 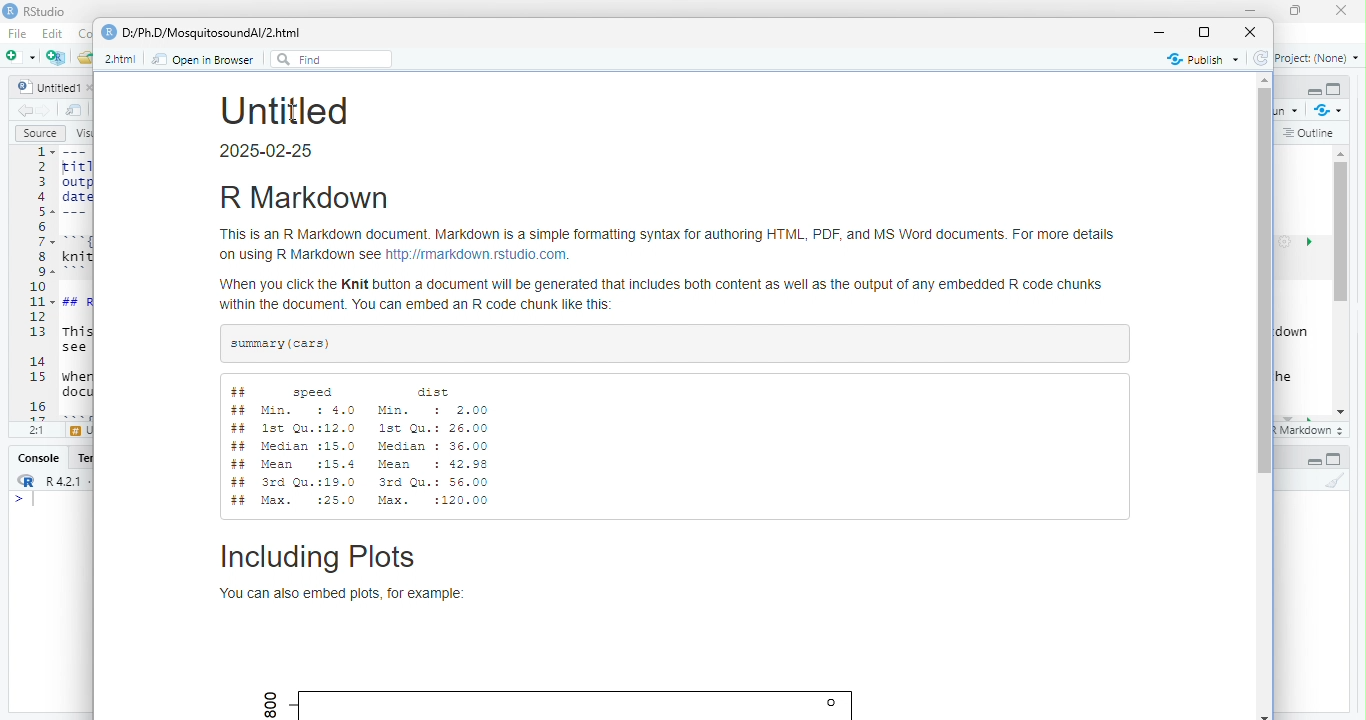 I want to click on R Markdown, so click(x=304, y=198).